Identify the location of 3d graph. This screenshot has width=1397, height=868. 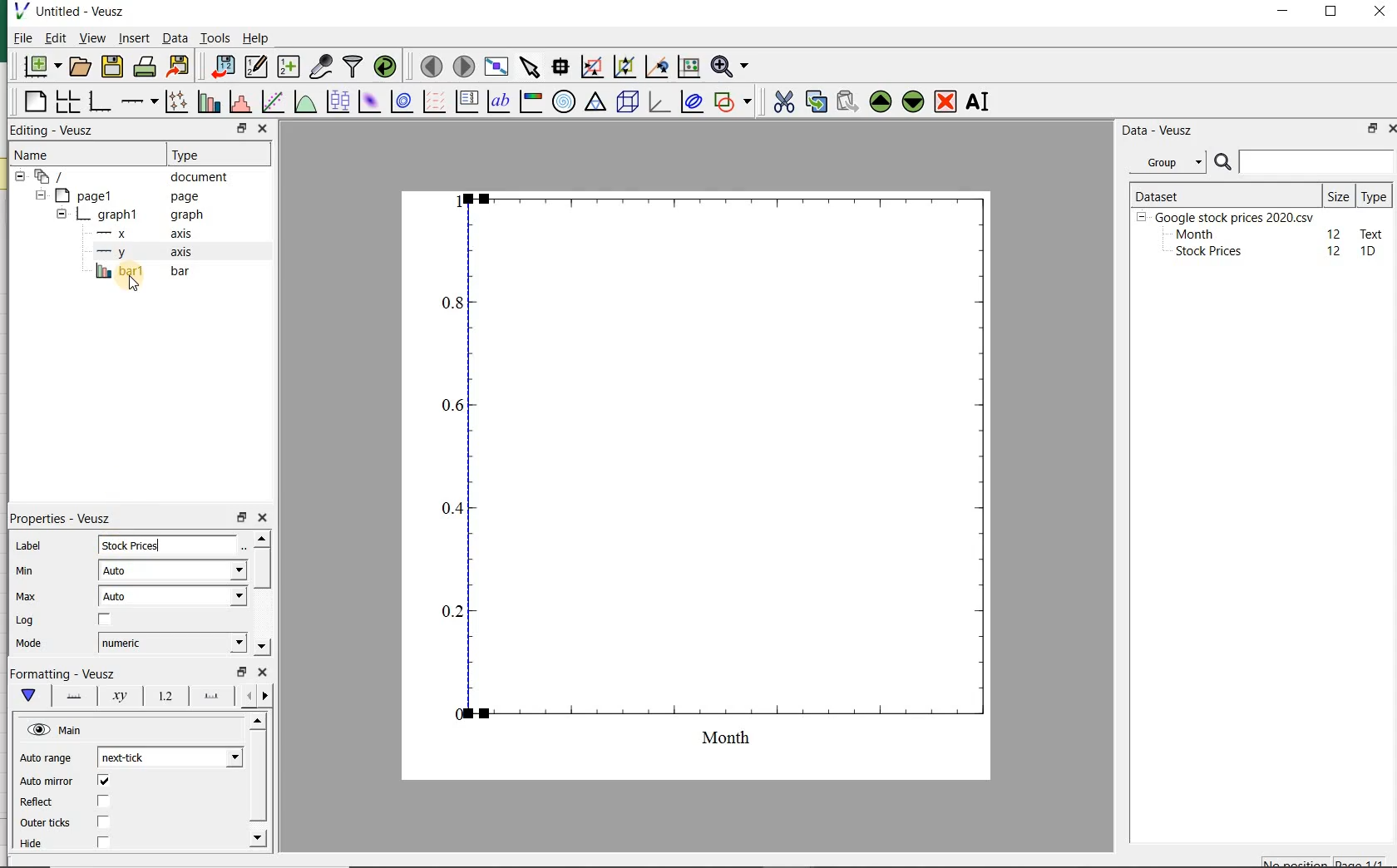
(659, 103).